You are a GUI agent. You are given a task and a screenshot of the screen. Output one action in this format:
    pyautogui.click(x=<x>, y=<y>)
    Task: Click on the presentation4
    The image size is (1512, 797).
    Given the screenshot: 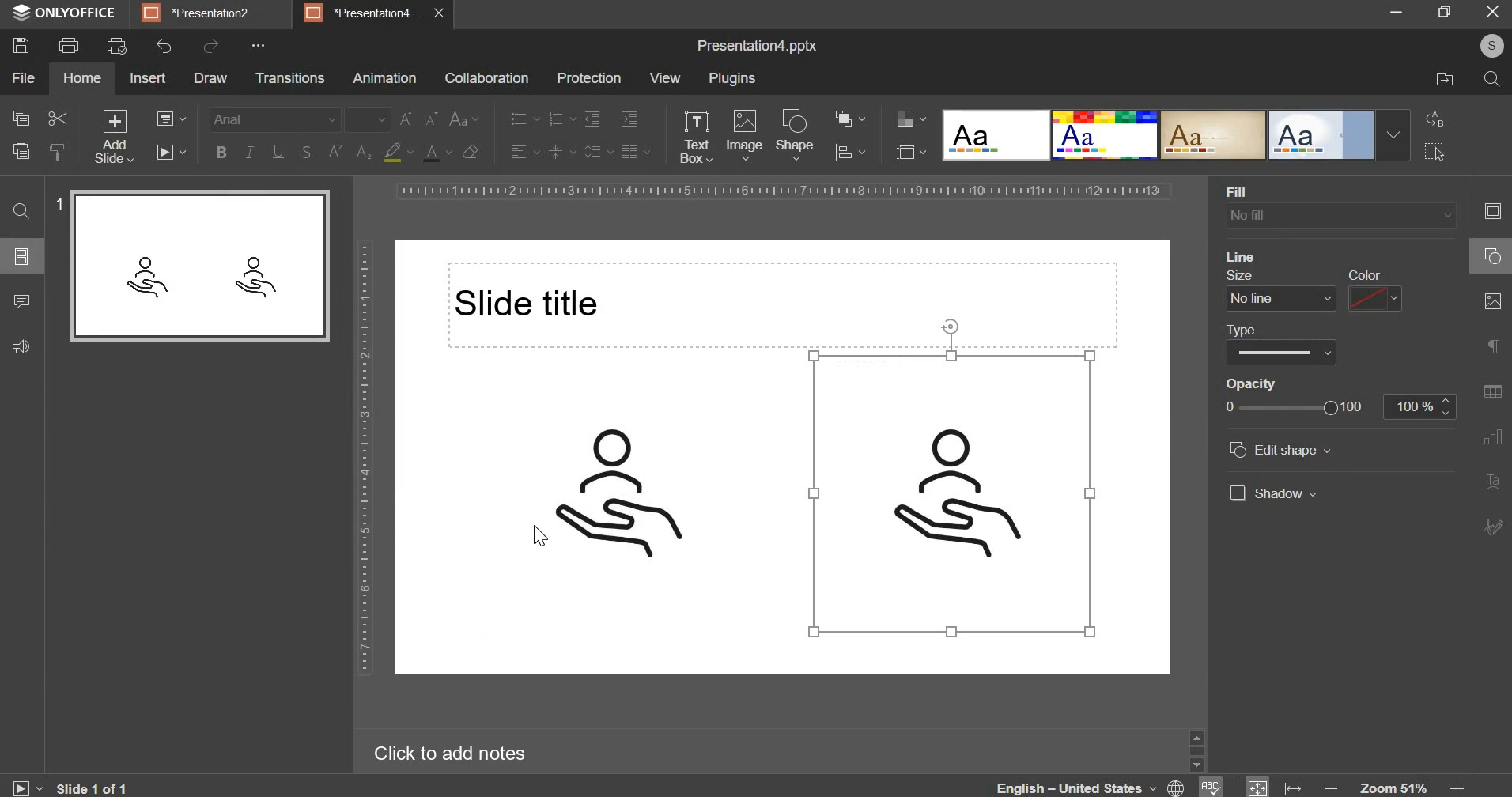 What is the action you would take?
    pyautogui.click(x=362, y=14)
    